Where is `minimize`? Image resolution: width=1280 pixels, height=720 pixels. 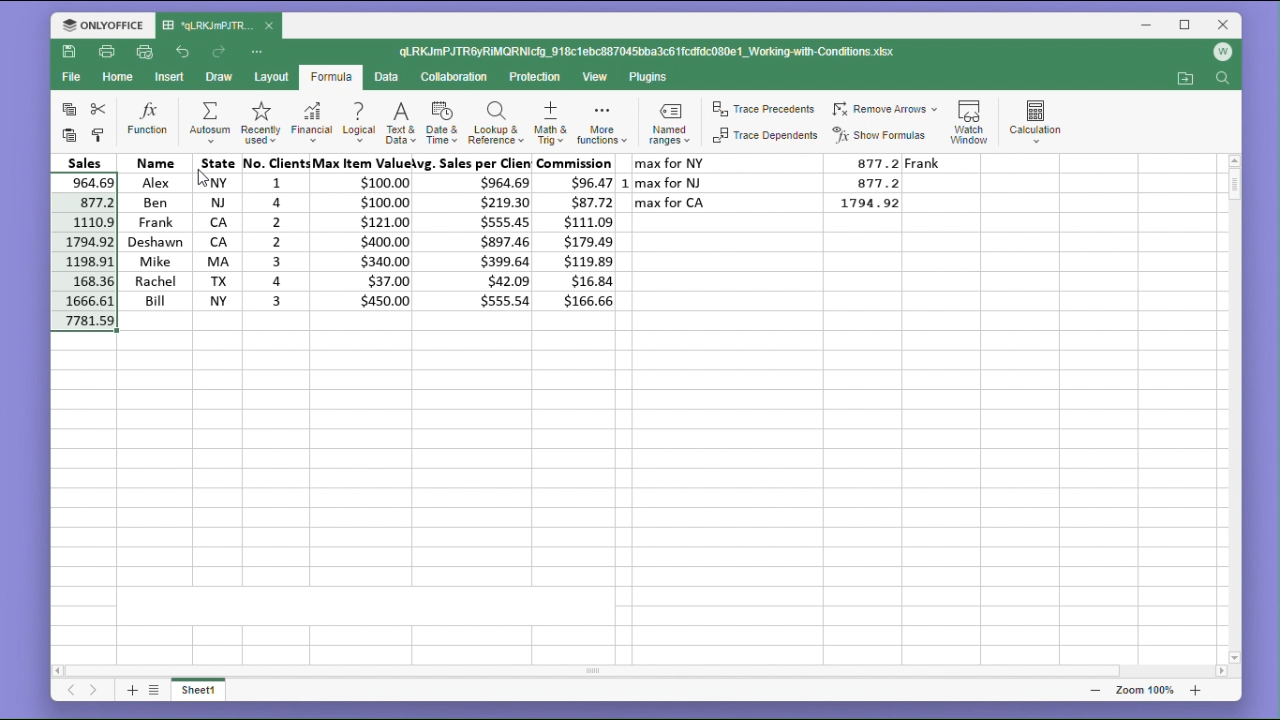 minimize is located at coordinates (1149, 27).